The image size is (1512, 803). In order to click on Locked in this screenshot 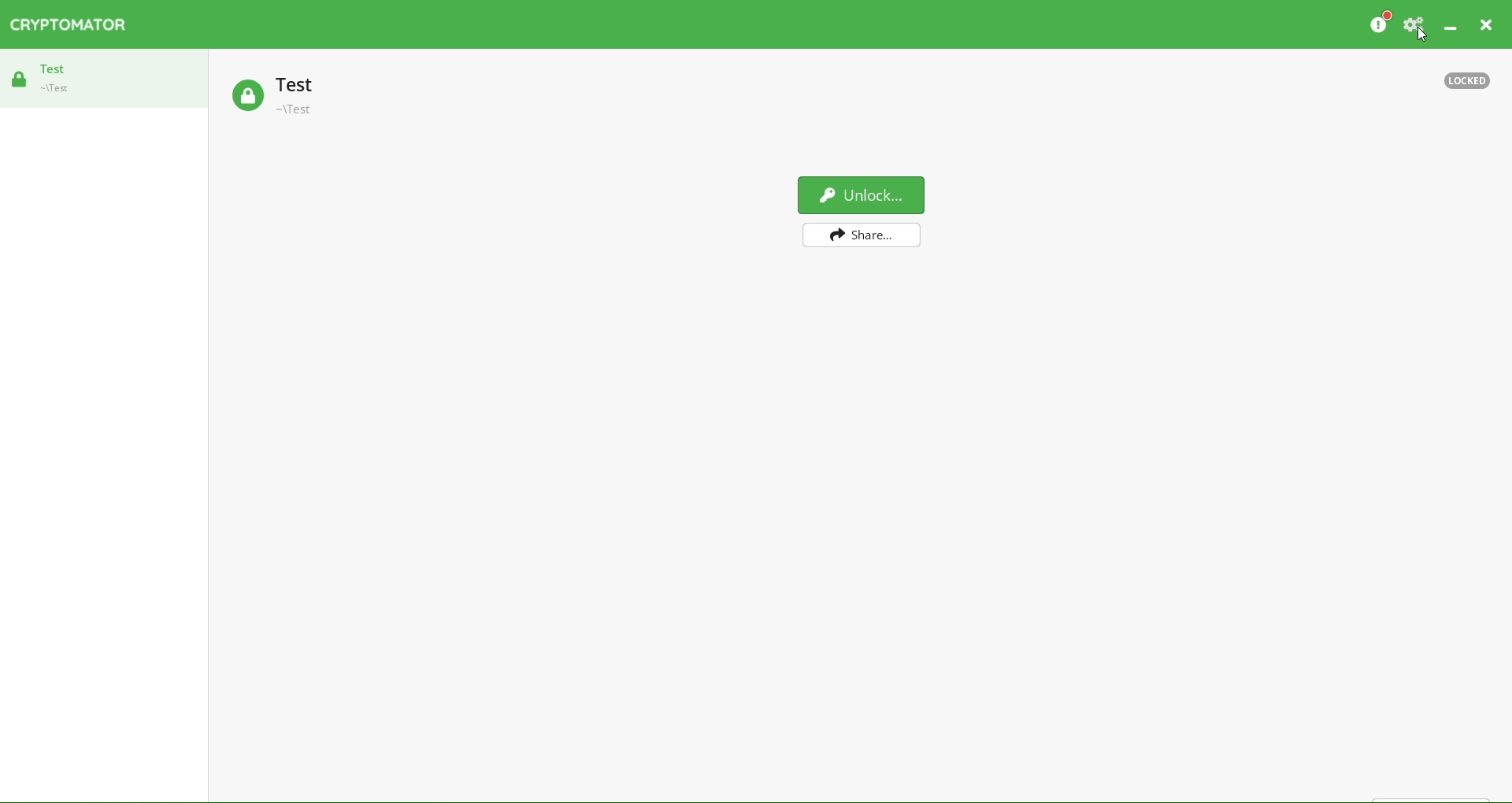, I will do `click(1467, 78)`.